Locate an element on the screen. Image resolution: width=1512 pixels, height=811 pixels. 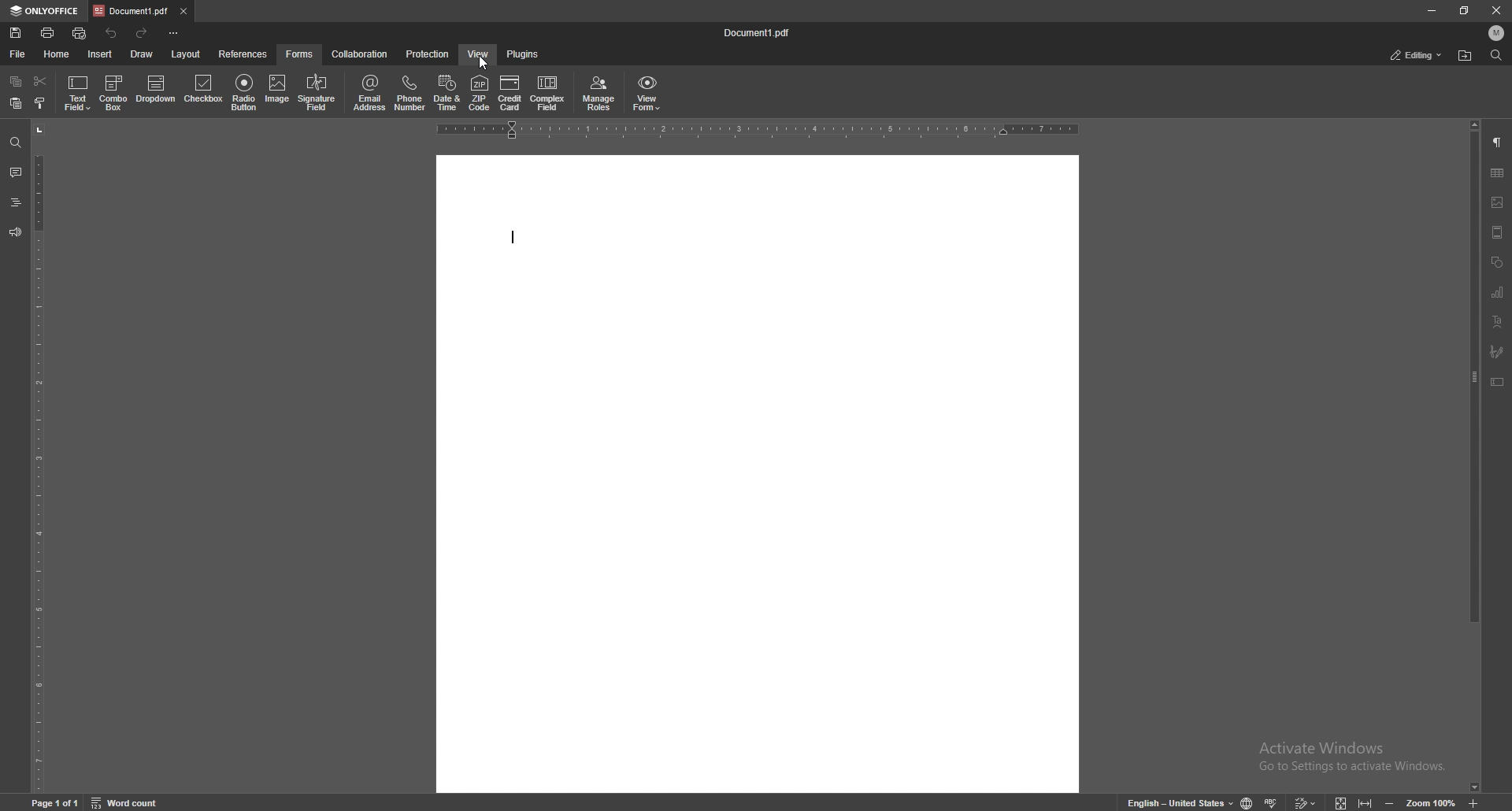
zoom is located at coordinates (1432, 802).